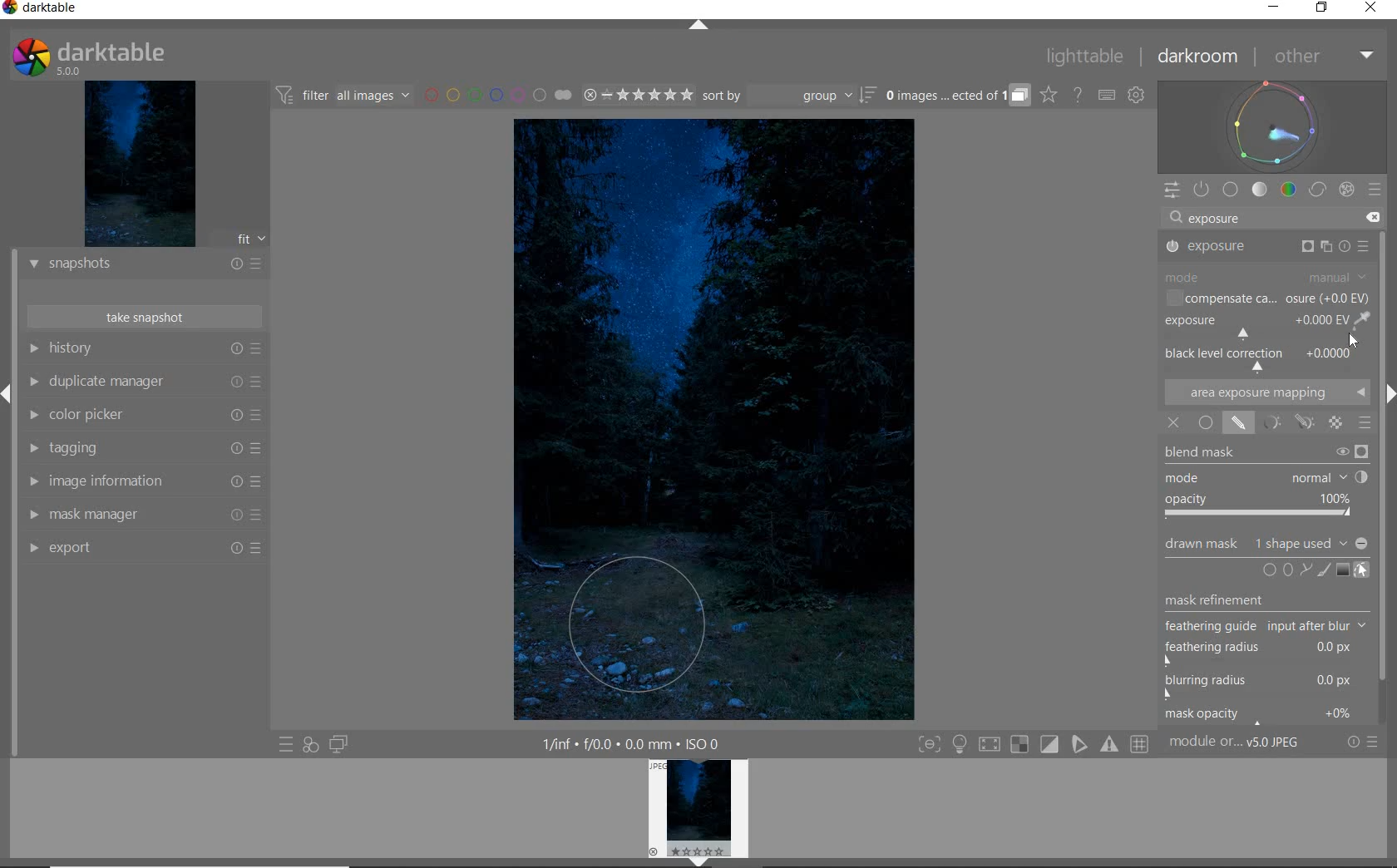 The image size is (1397, 868). What do you see at coordinates (141, 348) in the screenshot?
I see `HISTORY` at bounding box center [141, 348].